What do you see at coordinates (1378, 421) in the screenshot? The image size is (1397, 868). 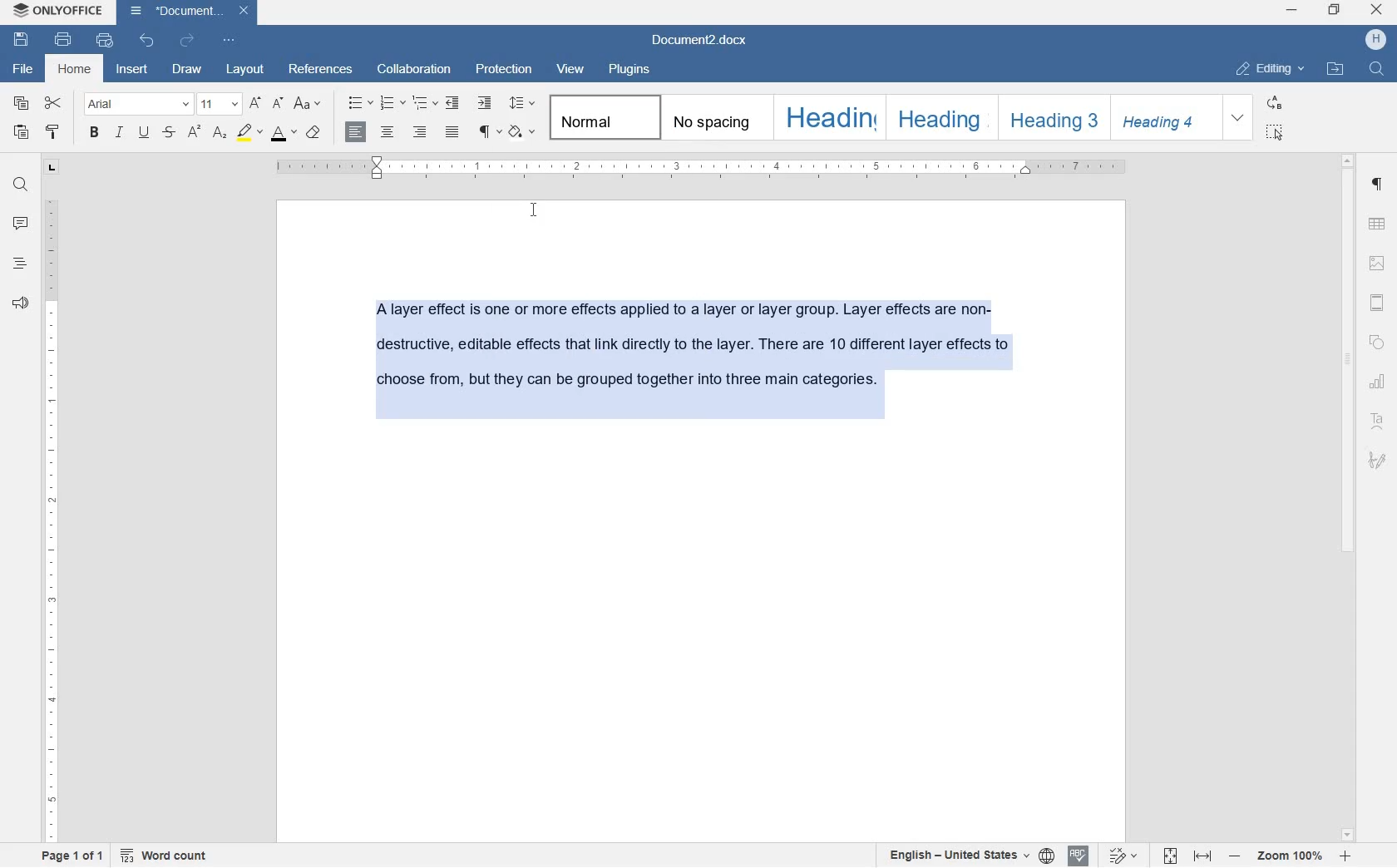 I see `text art` at bounding box center [1378, 421].